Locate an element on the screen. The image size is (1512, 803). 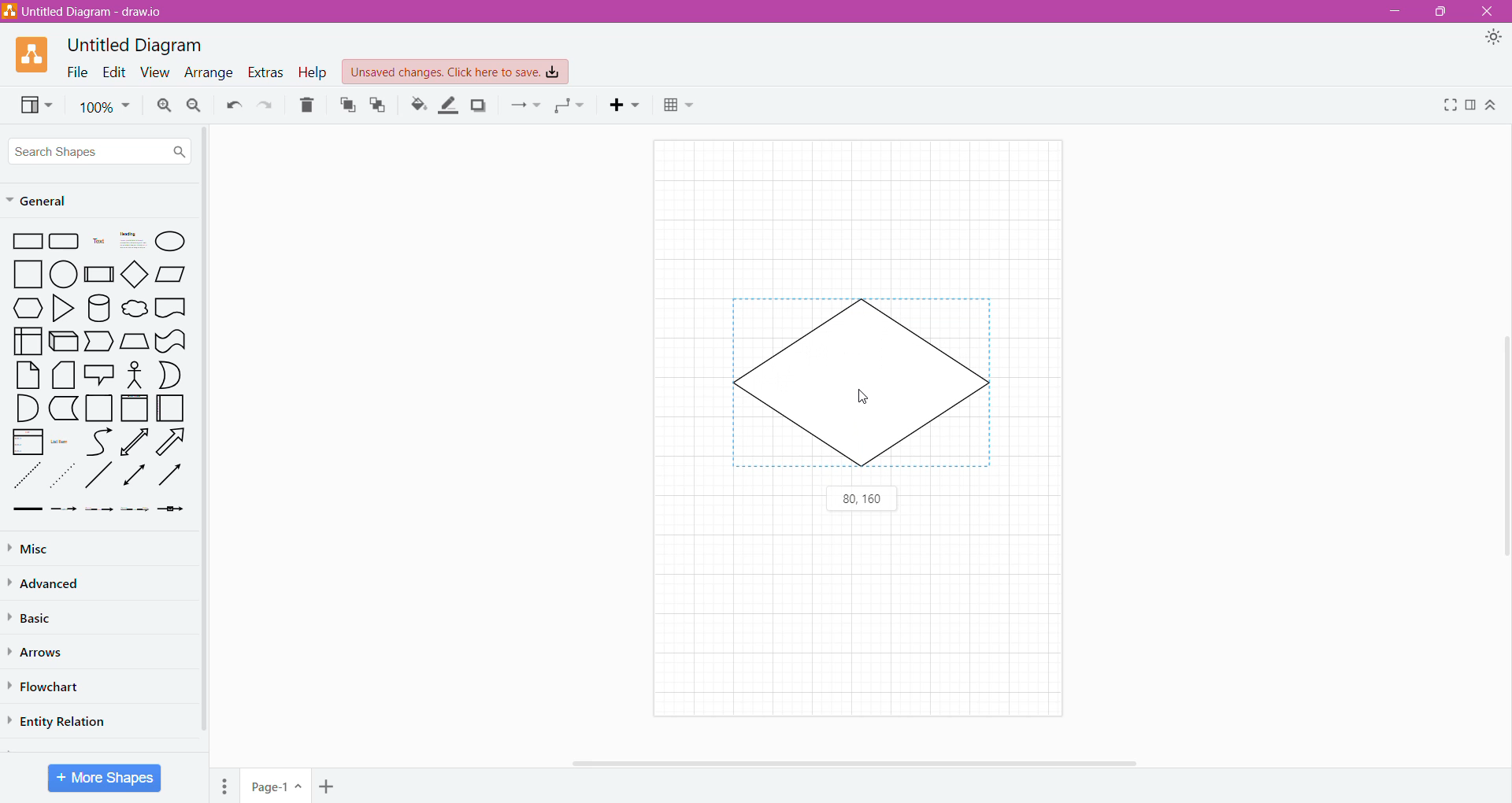
Untitled Diagram is located at coordinates (139, 44).